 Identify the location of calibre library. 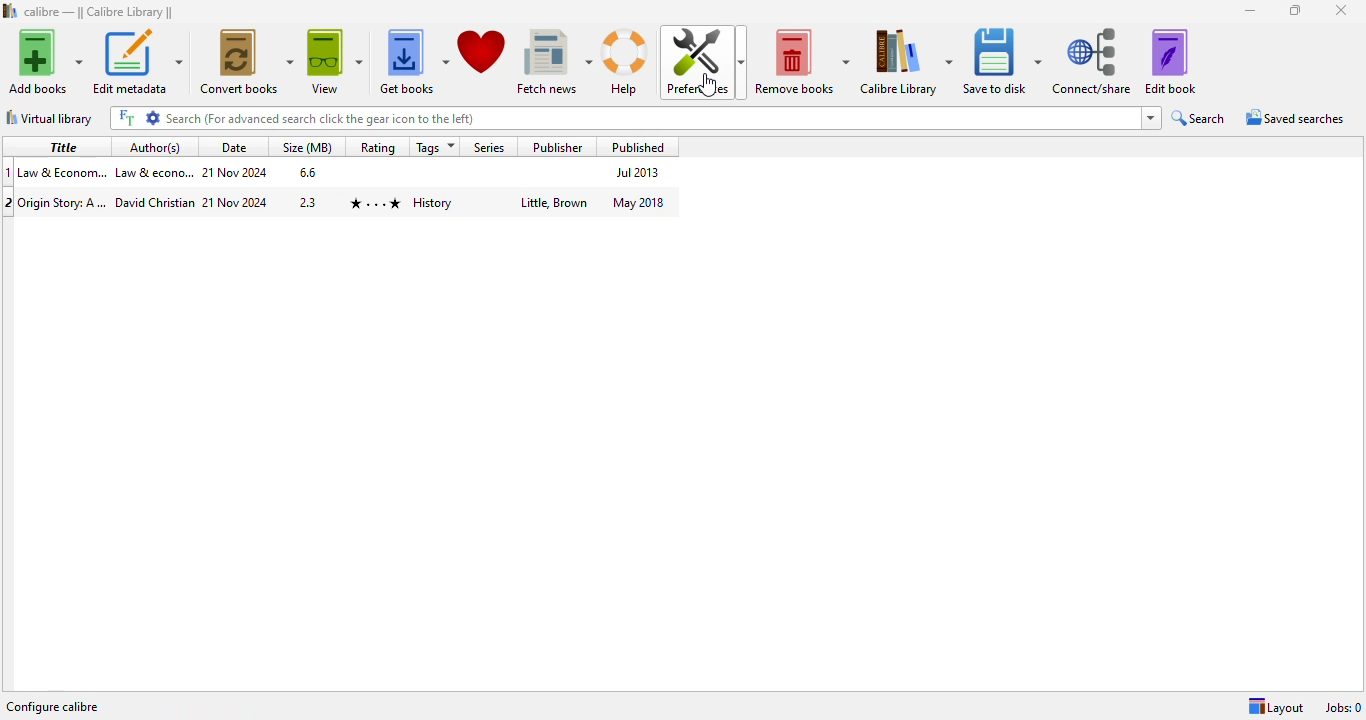
(905, 63).